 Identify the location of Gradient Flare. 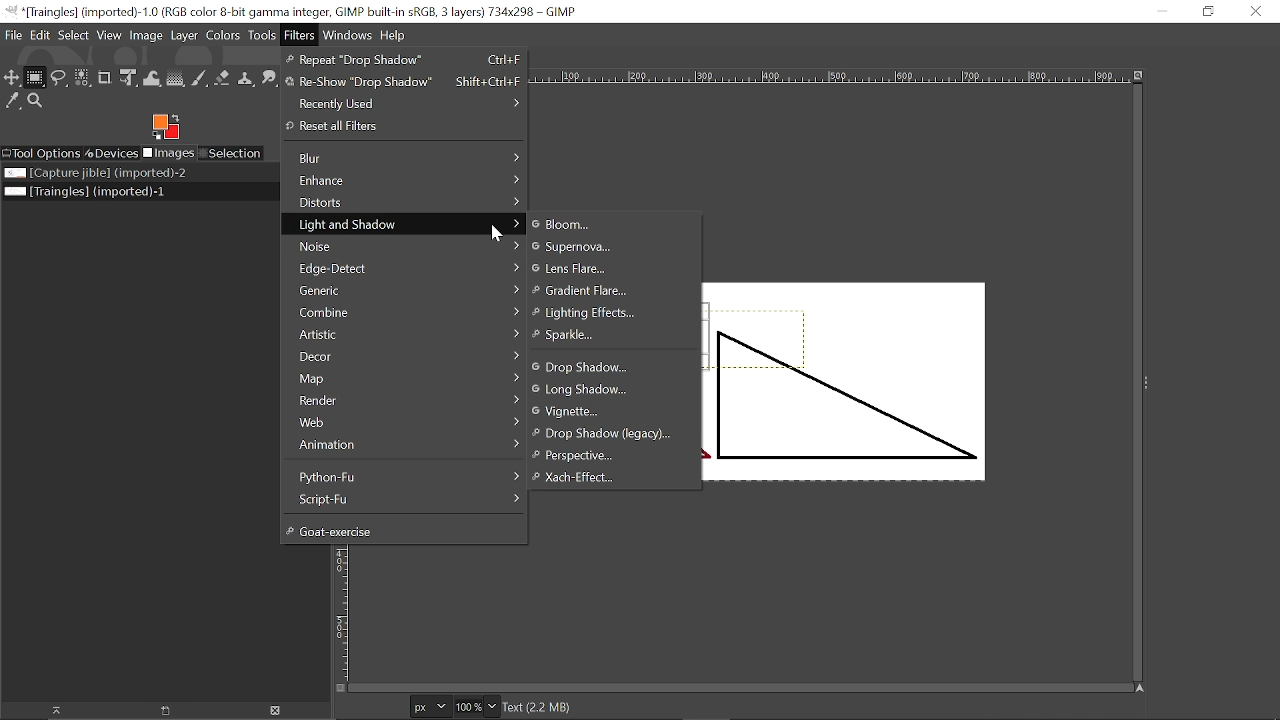
(605, 291).